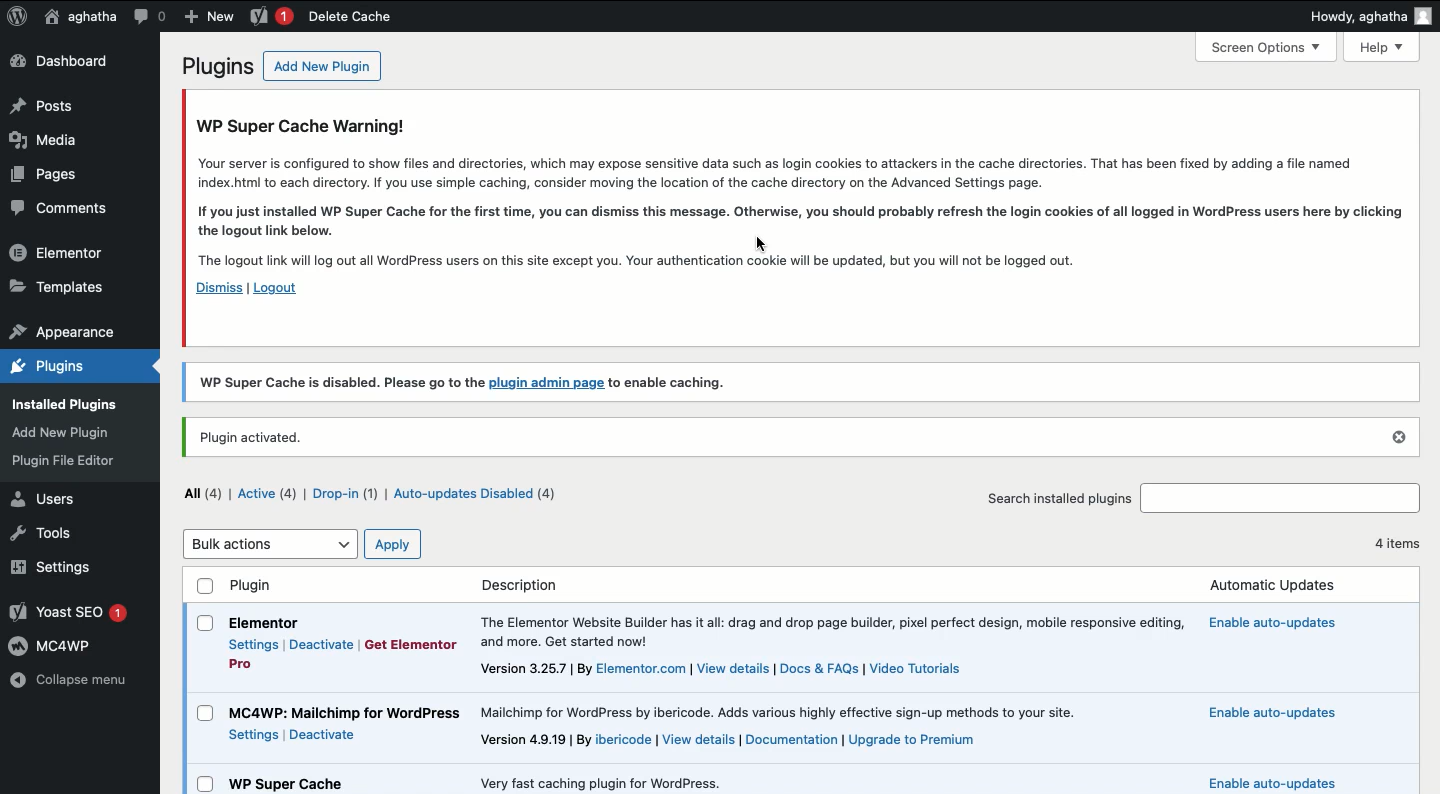  I want to click on Comment, so click(150, 15).